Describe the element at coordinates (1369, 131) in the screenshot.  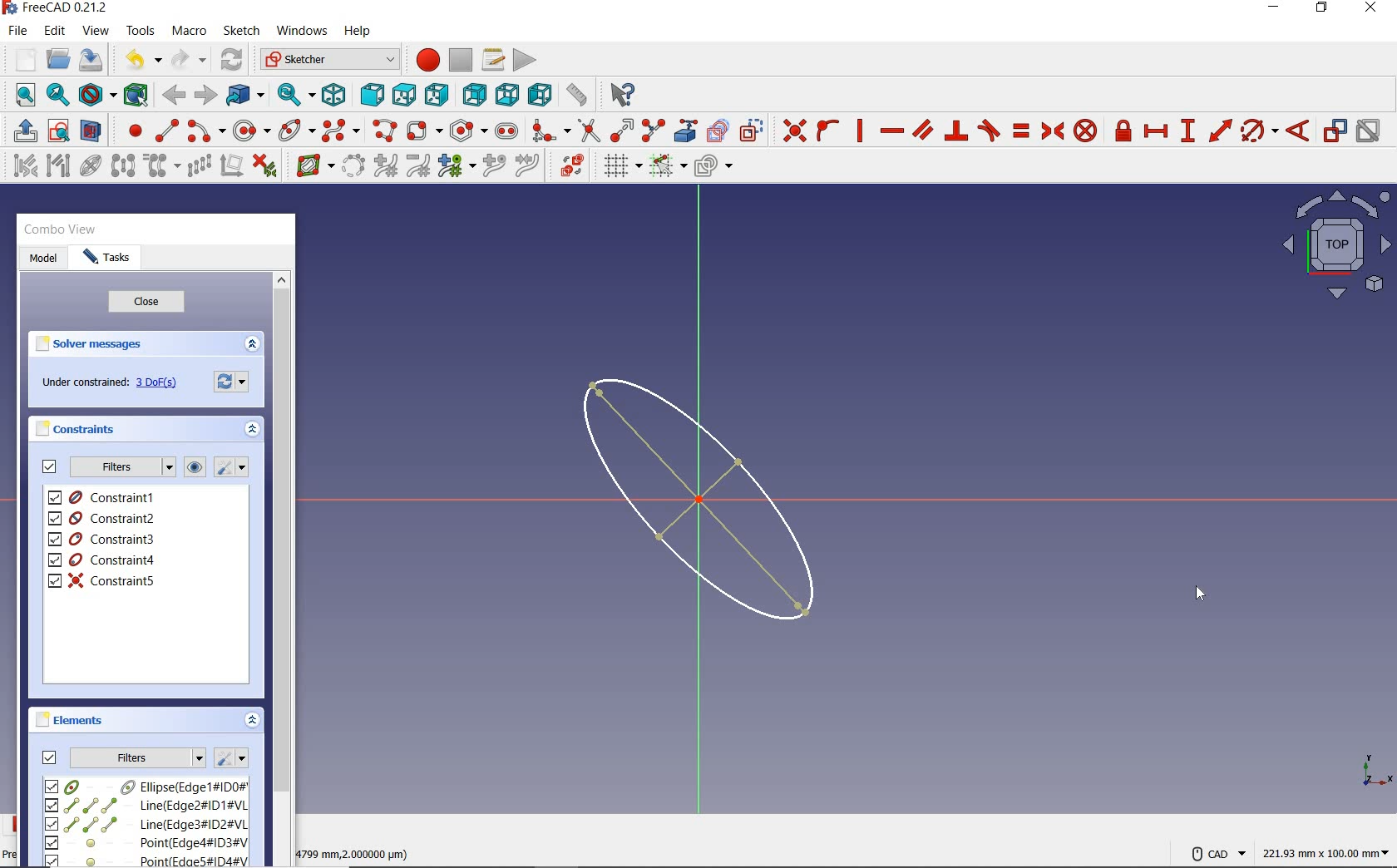
I see `activate/deactivate constraint` at that location.